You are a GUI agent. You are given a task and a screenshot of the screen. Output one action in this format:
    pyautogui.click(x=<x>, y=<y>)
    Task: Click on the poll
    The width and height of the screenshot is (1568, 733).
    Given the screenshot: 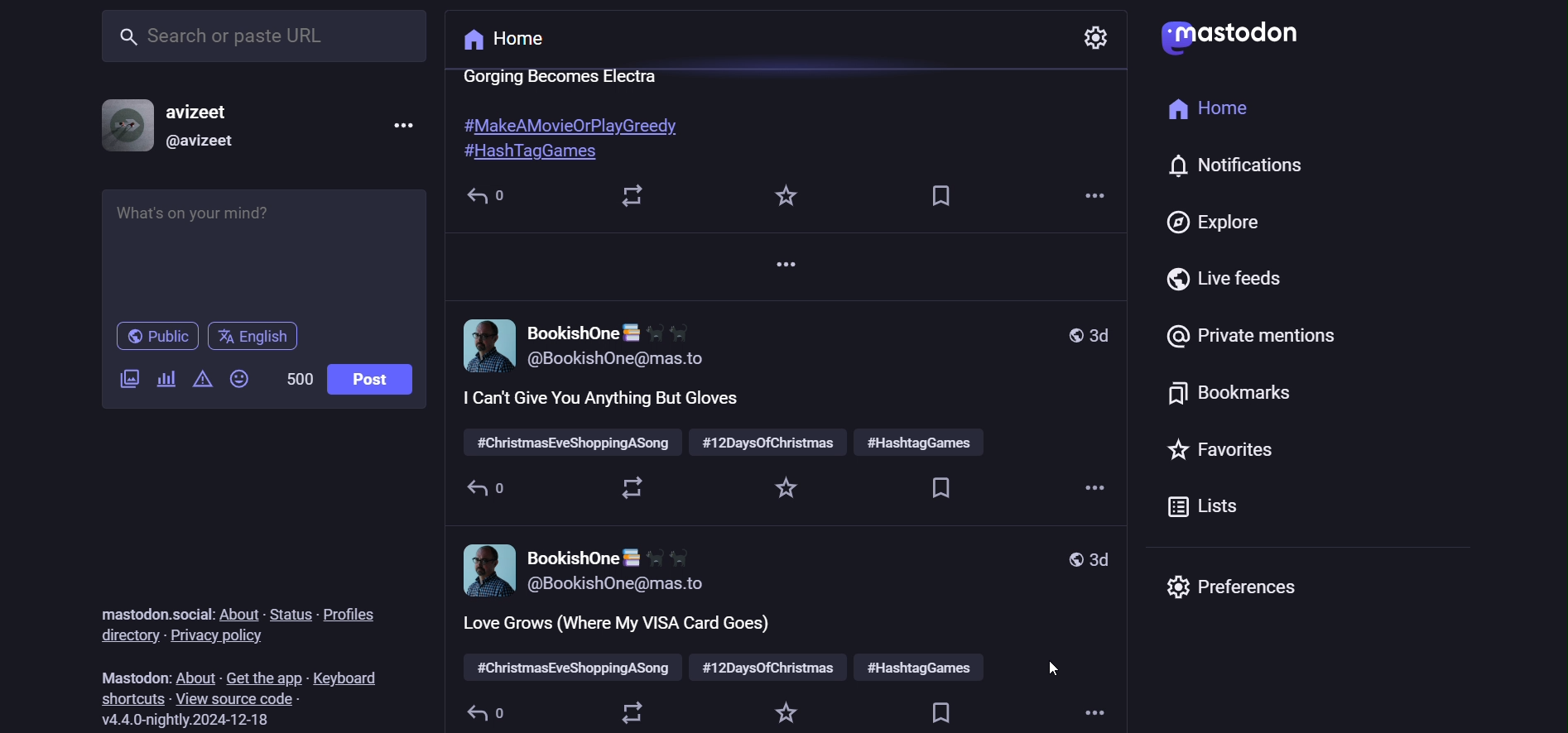 What is the action you would take?
    pyautogui.click(x=165, y=378)
    